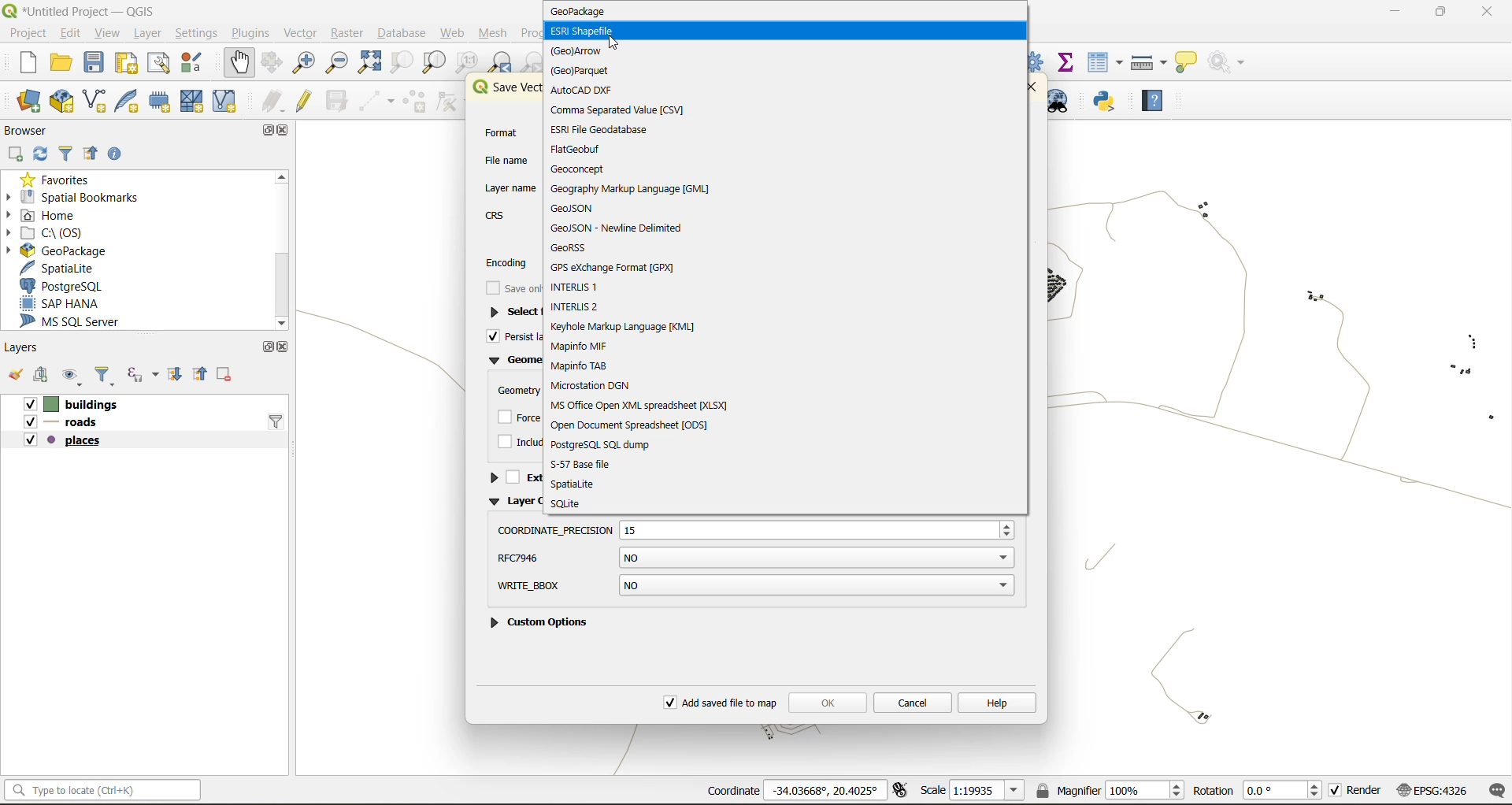 The width and height of the screenshot is (1512, 805). Describe the element at coordinates (639, 406) in the screenshot. I see `xlsx` at that location.